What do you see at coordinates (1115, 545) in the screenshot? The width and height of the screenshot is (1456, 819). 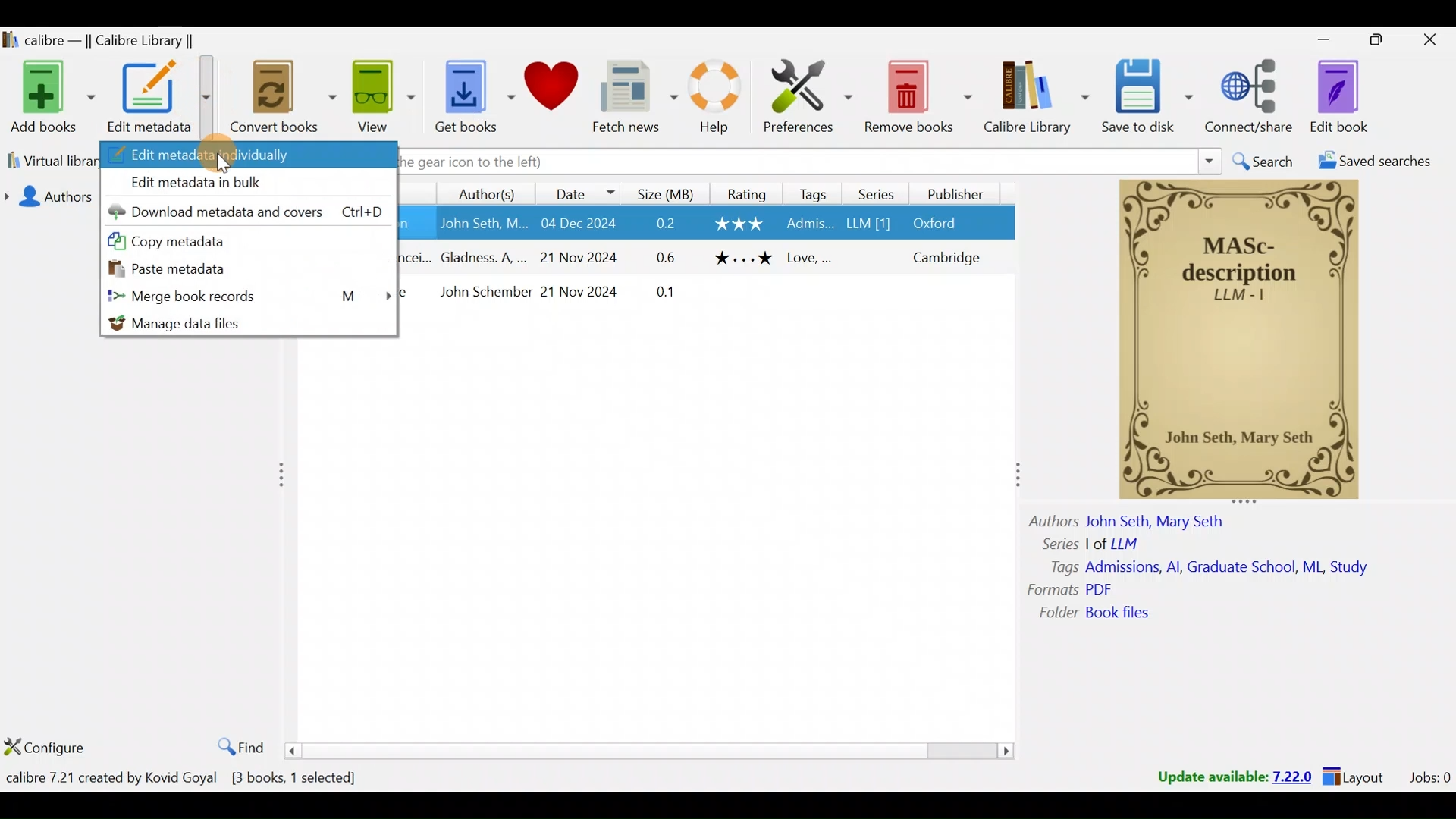 I see `` at bounding box center [1115, 545].